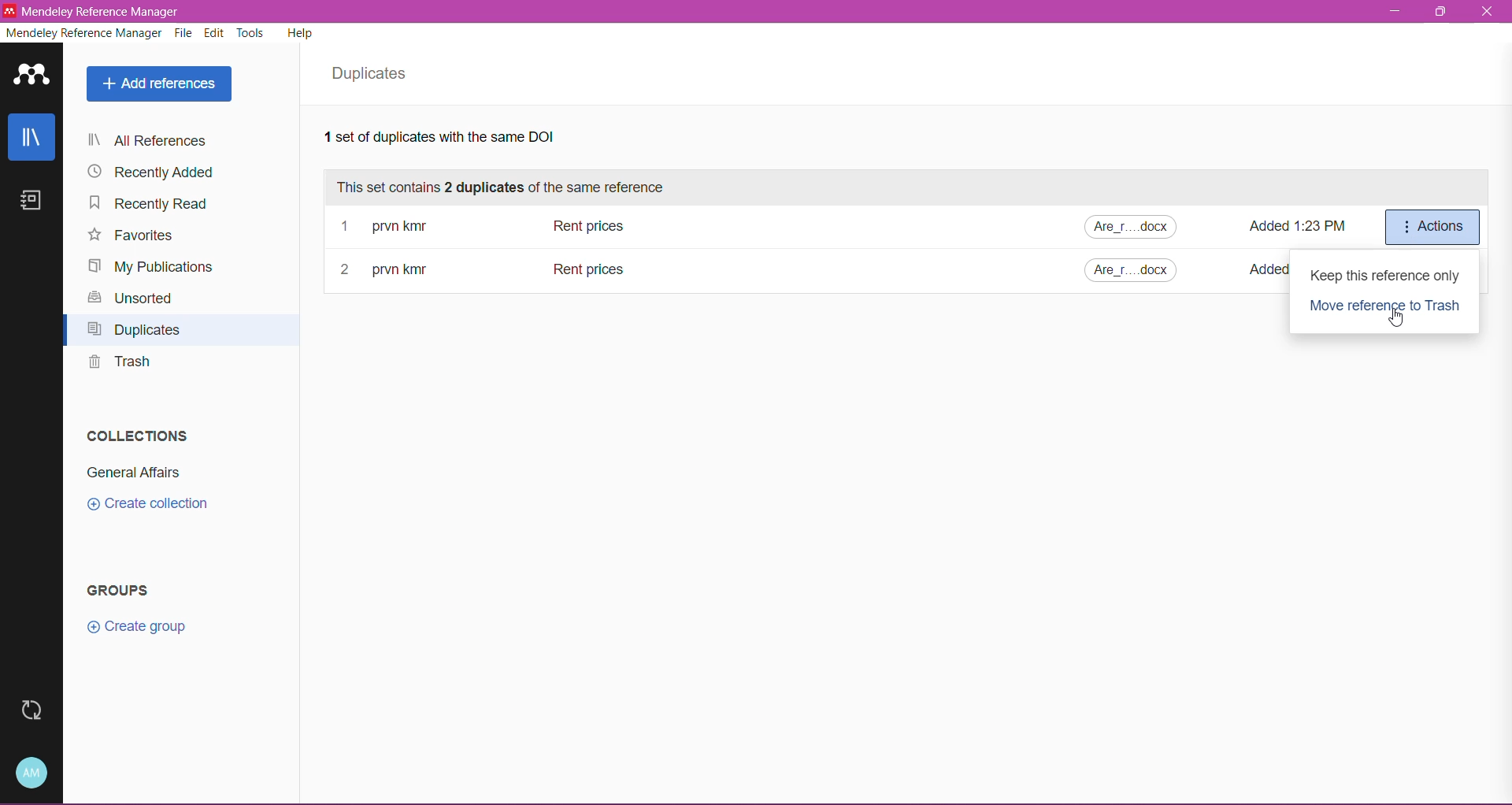 This screenshot has height=805, width=1512. I want to click on rent prices, so click(590, 271).